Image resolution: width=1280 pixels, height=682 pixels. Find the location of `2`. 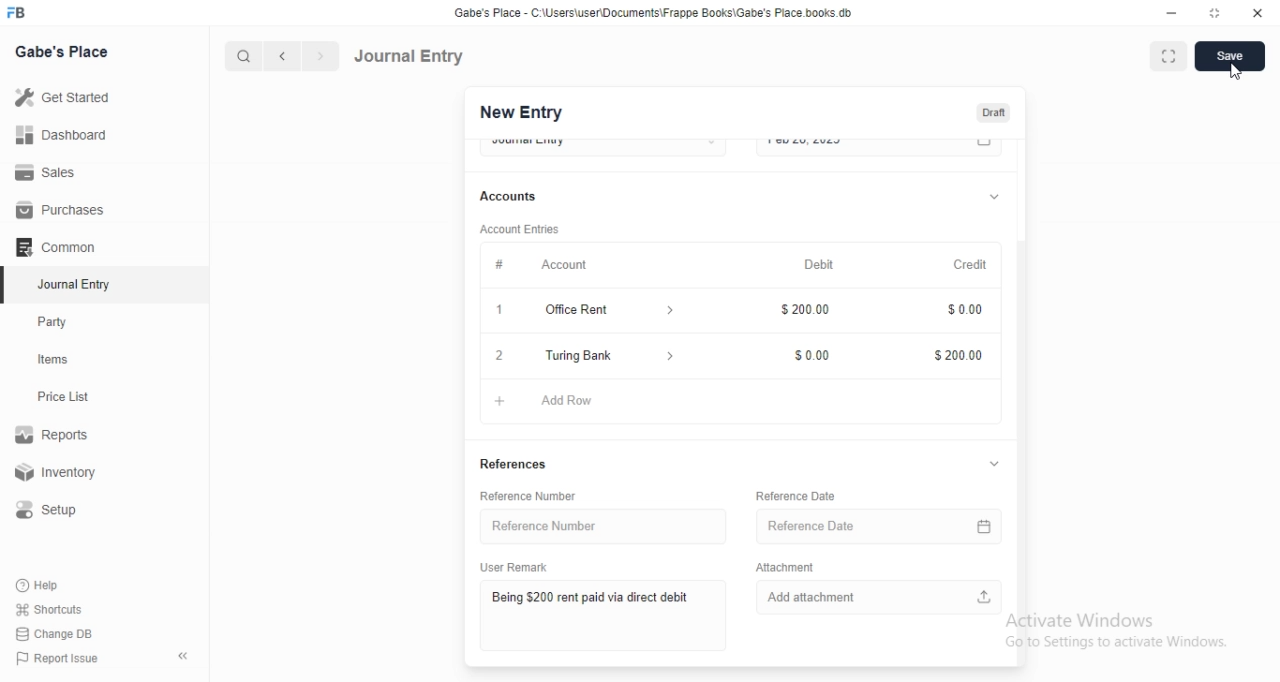

2 is located at coordinates (496, 356).